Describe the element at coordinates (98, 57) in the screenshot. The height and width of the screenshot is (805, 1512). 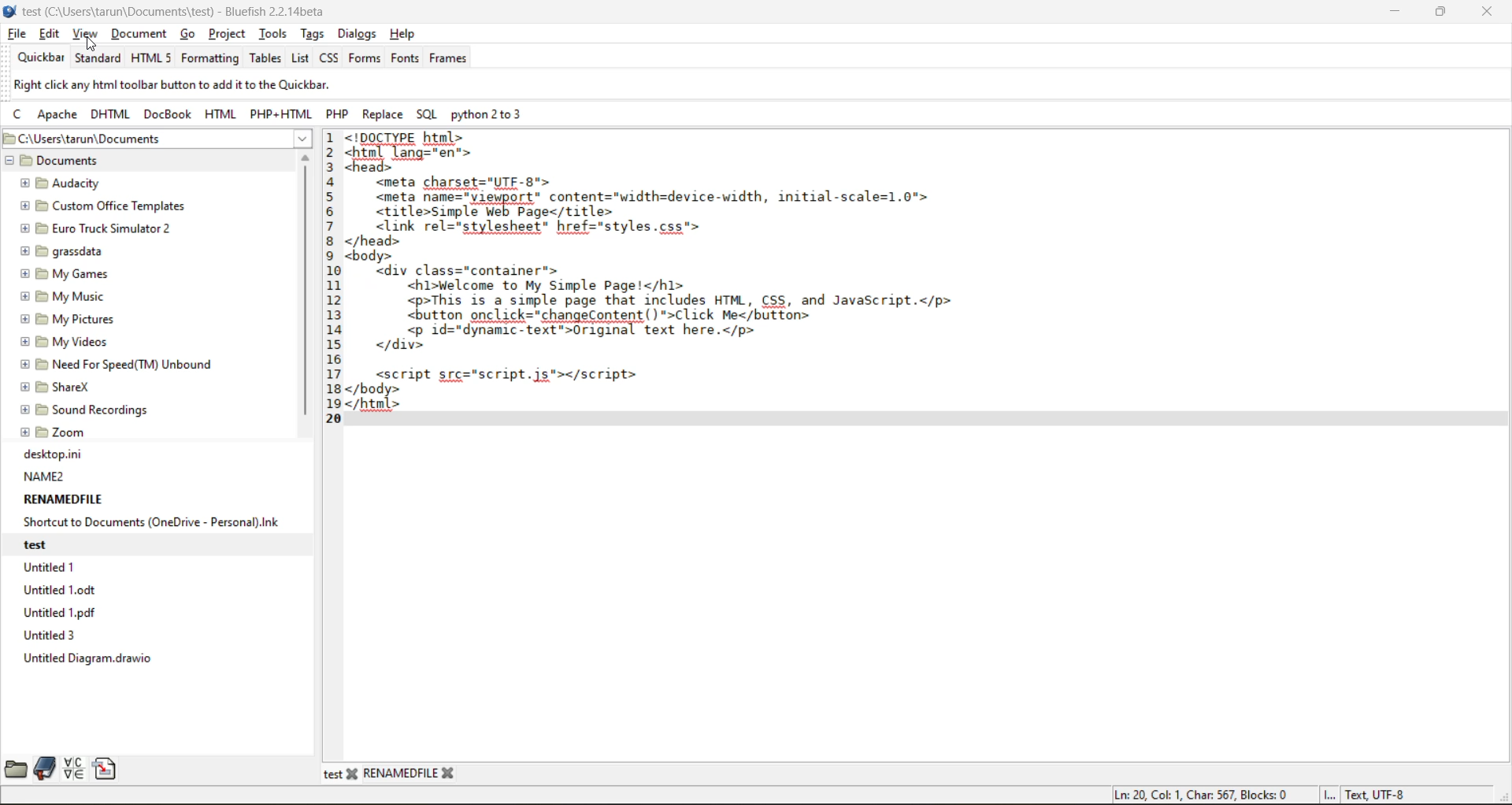
I see `standard` at that location.